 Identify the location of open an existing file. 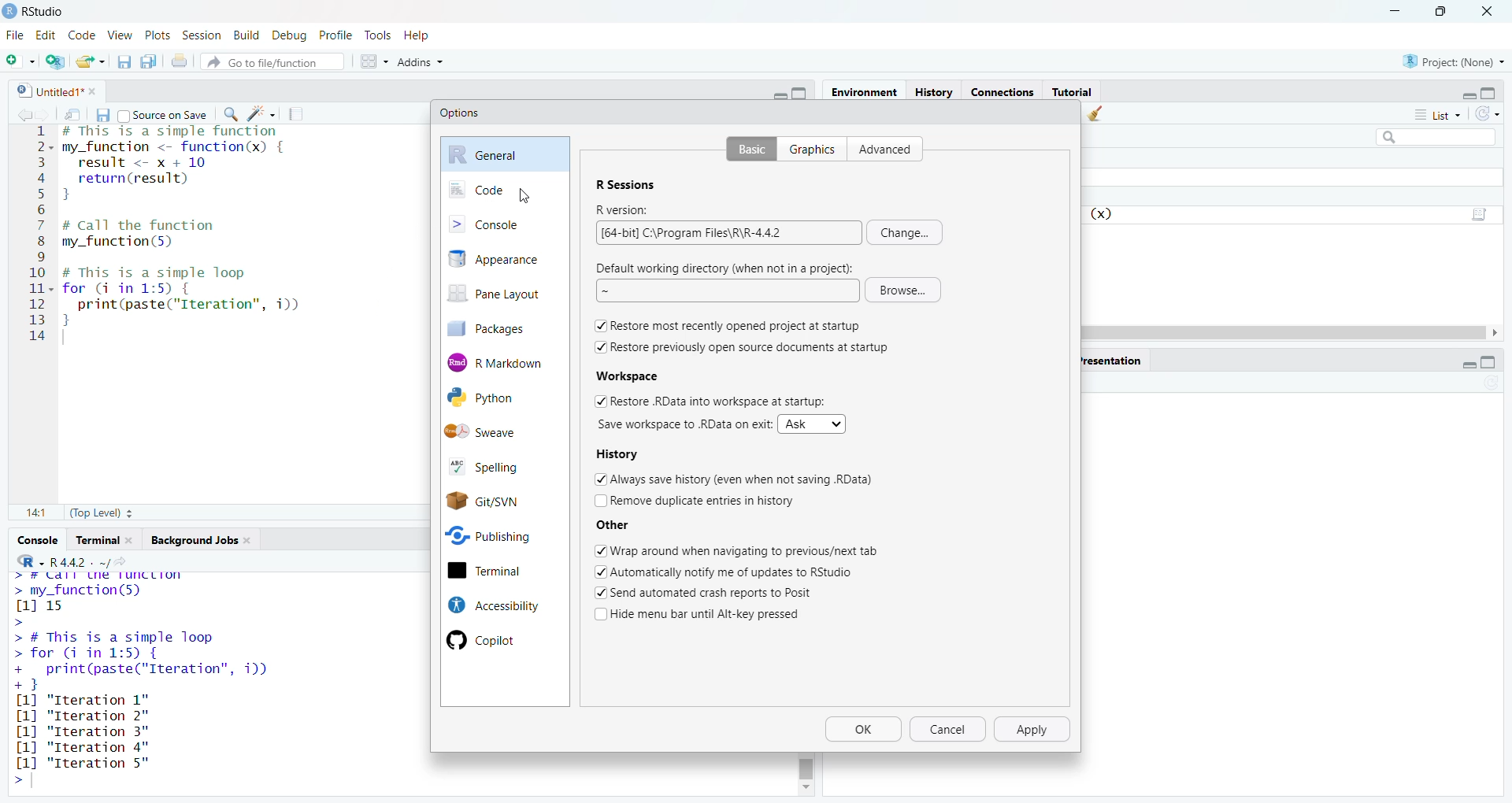
(91, 60).